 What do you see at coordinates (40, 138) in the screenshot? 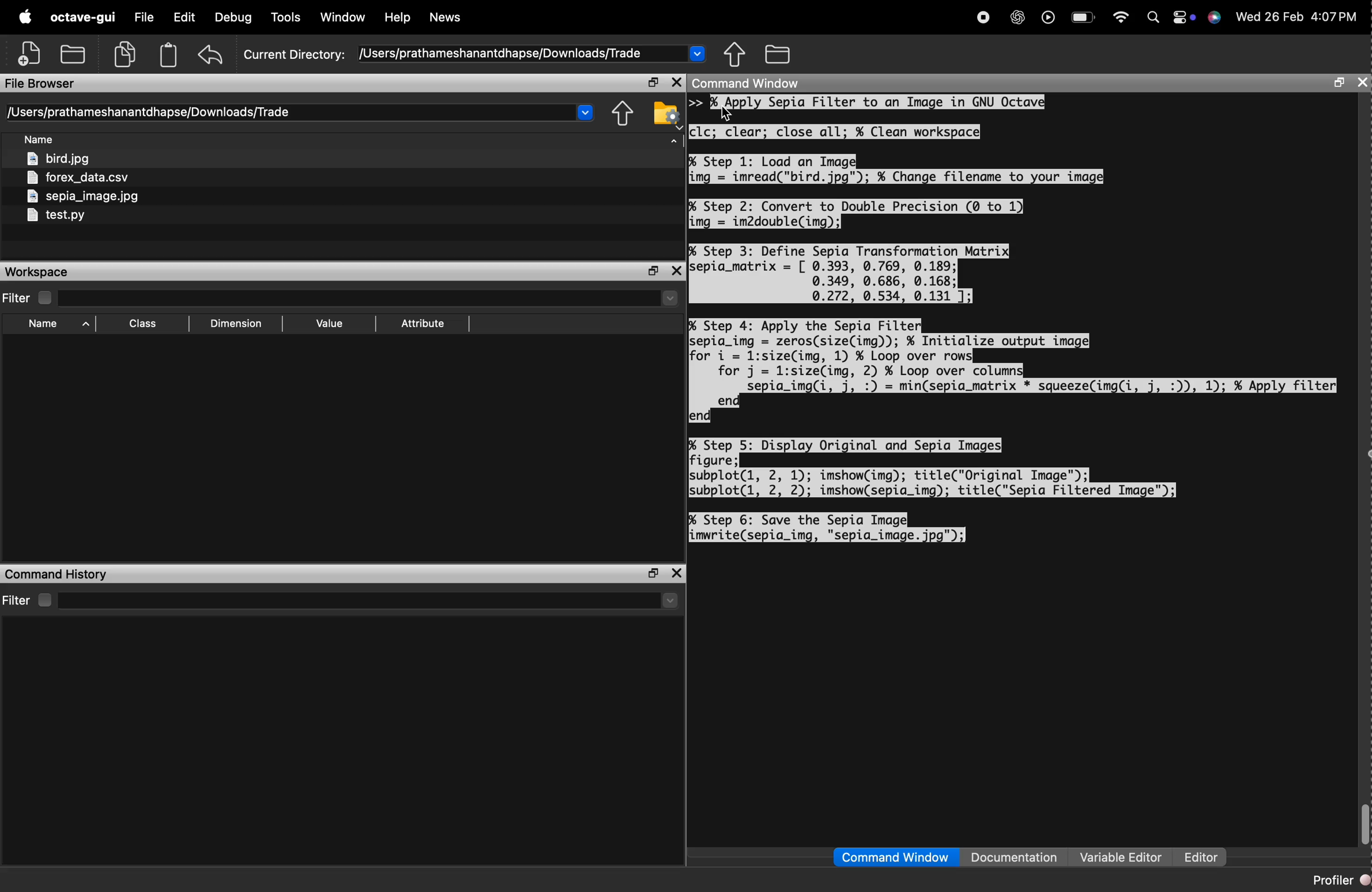
I see `Name` at bounding box center [40, 138].